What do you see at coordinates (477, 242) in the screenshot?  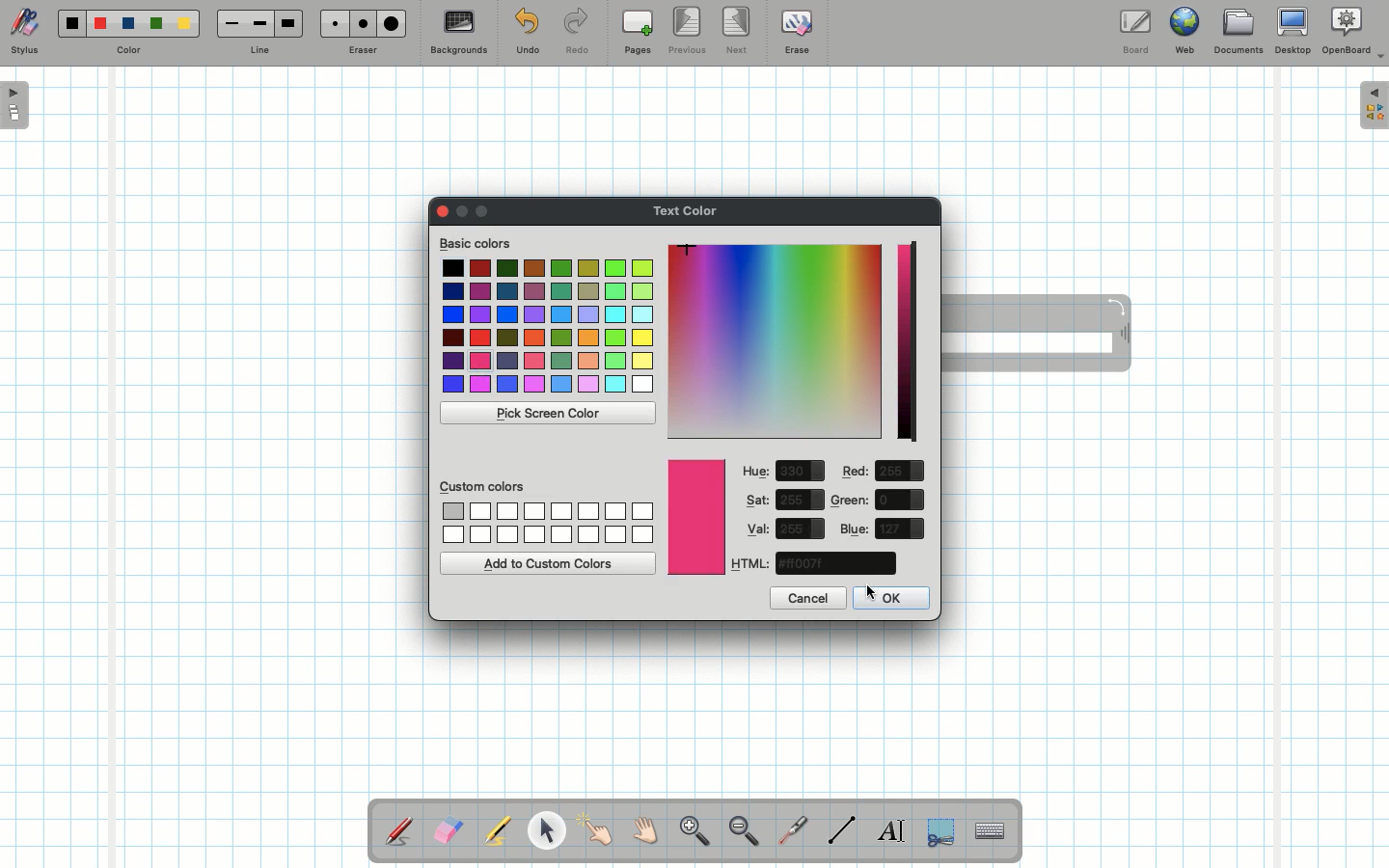 I see `Basic colors` at bounding box center [477, 242].